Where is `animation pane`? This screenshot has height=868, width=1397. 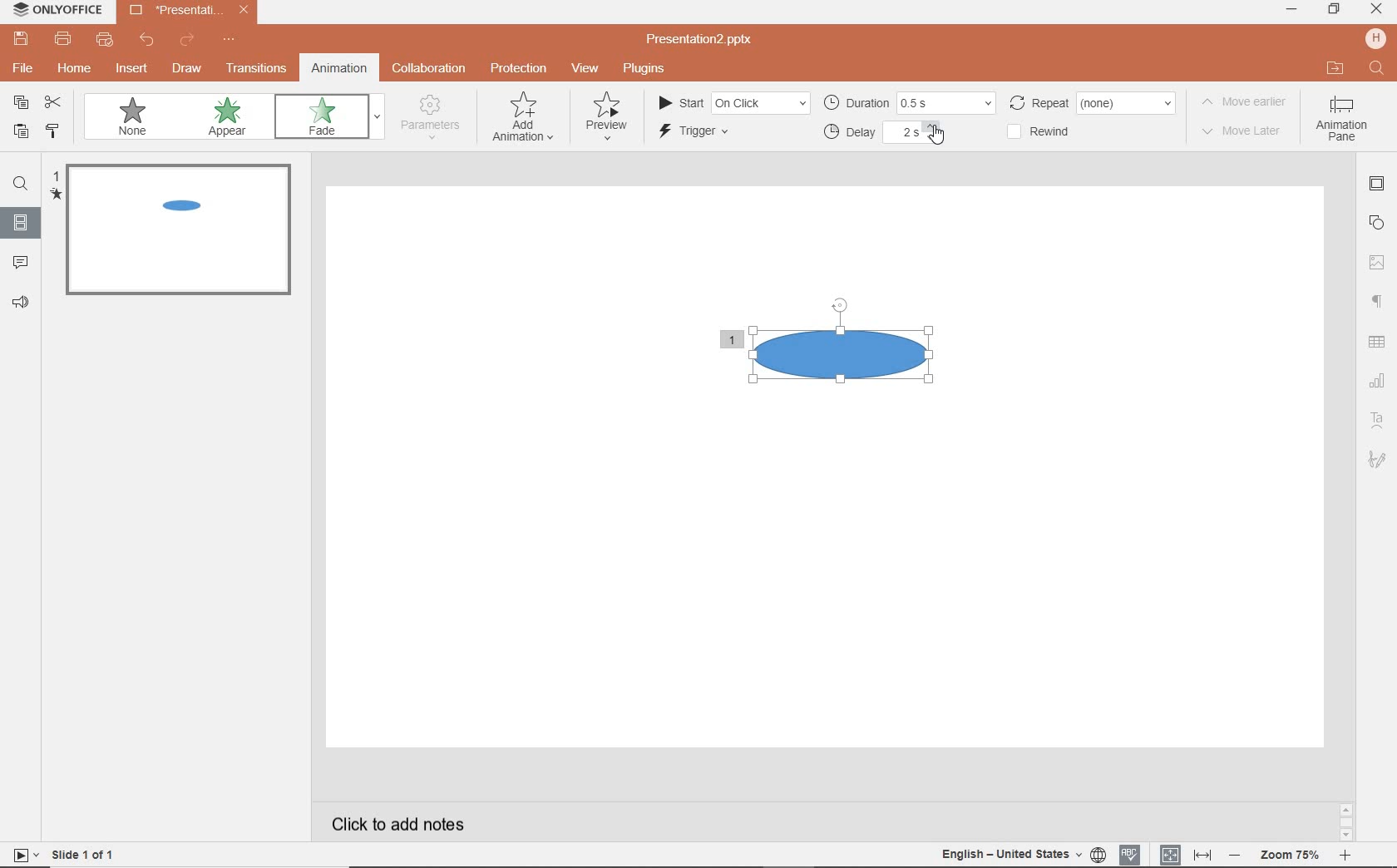 animation pane is located at coordinates (1343, 121).